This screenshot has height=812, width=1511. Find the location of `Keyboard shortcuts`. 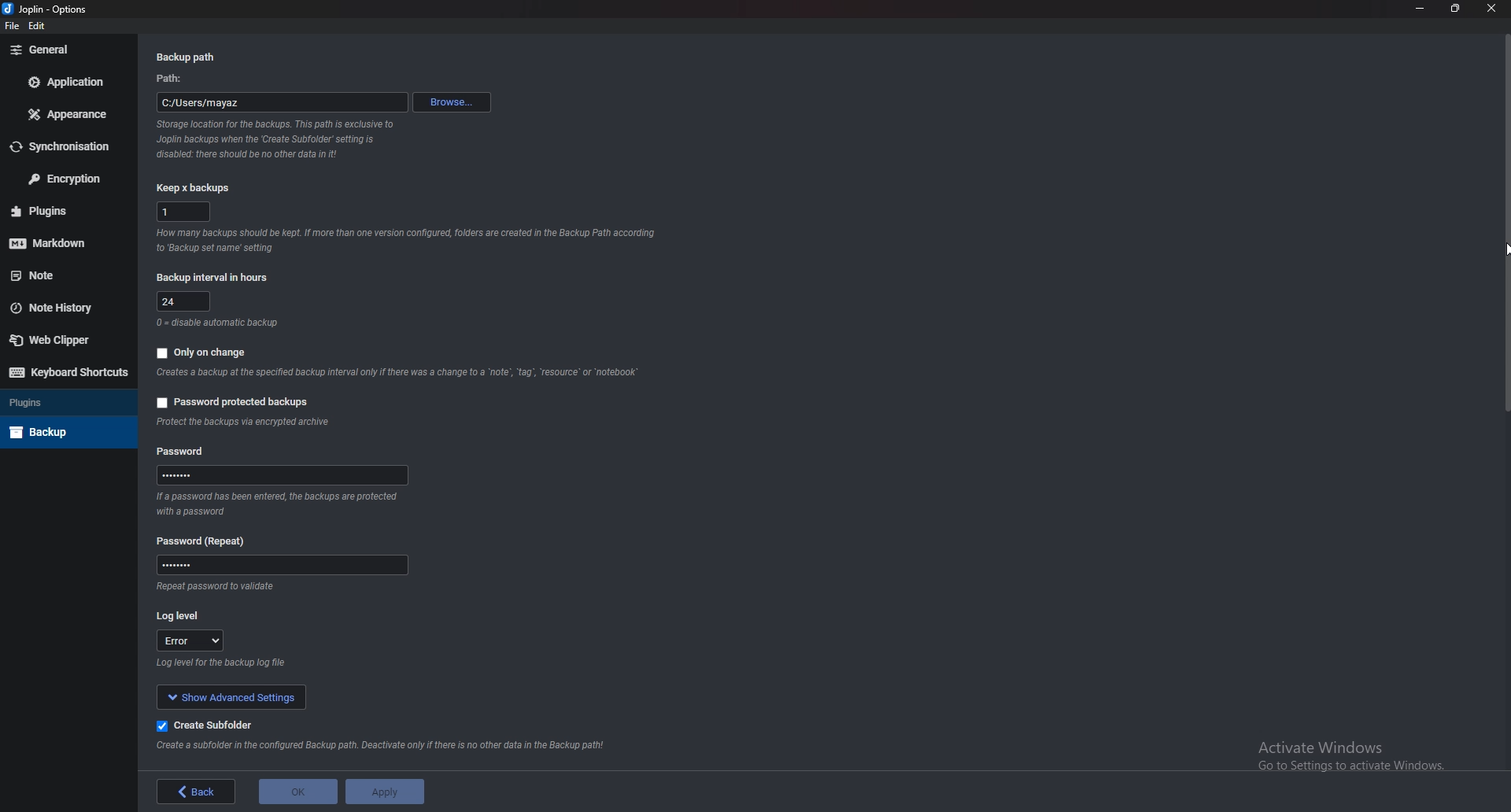

Keyboard shortcuts is located at coordinates (65, 373).